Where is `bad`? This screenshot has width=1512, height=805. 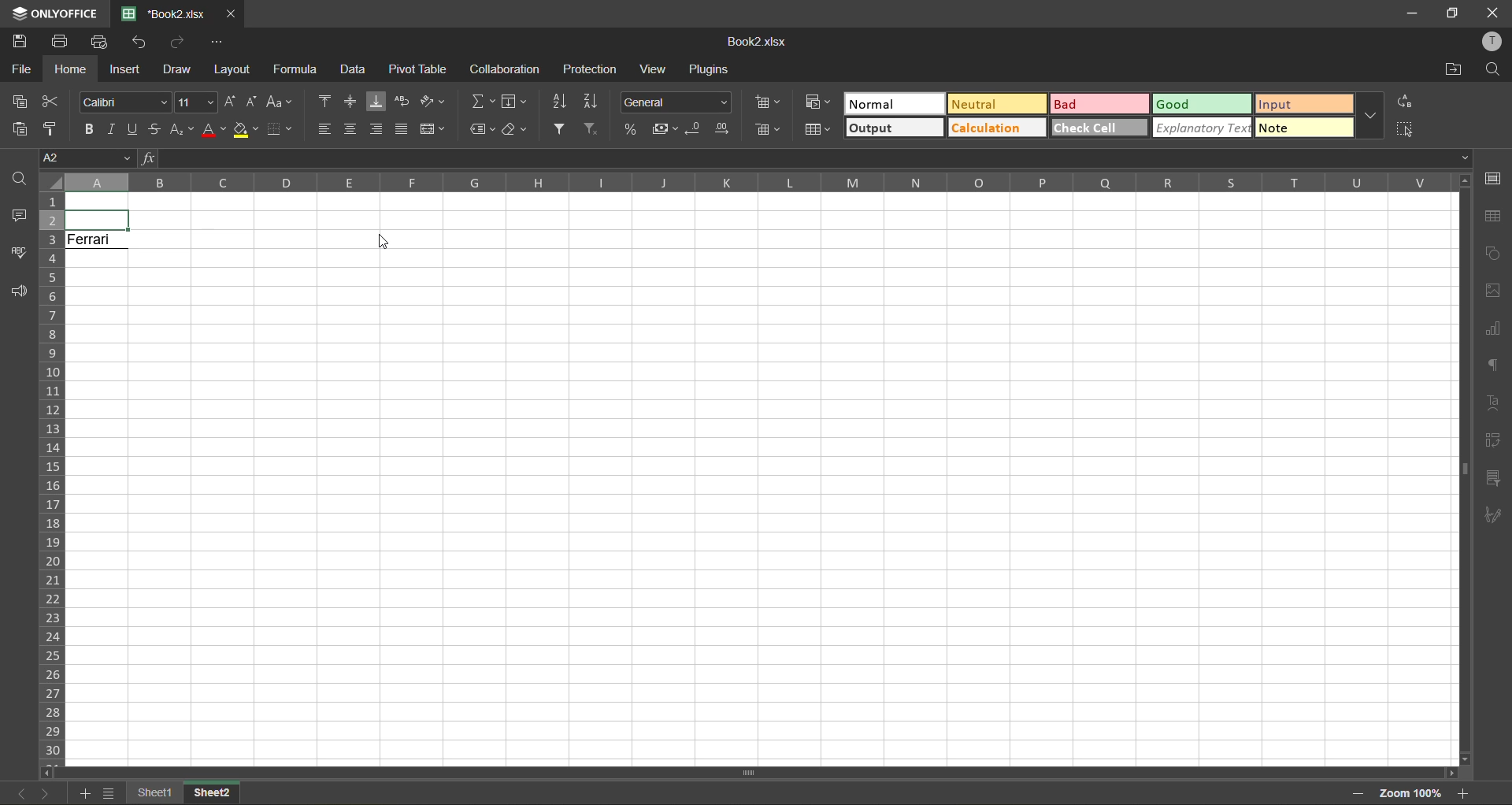
bad is located at coordinates (1094, 103).